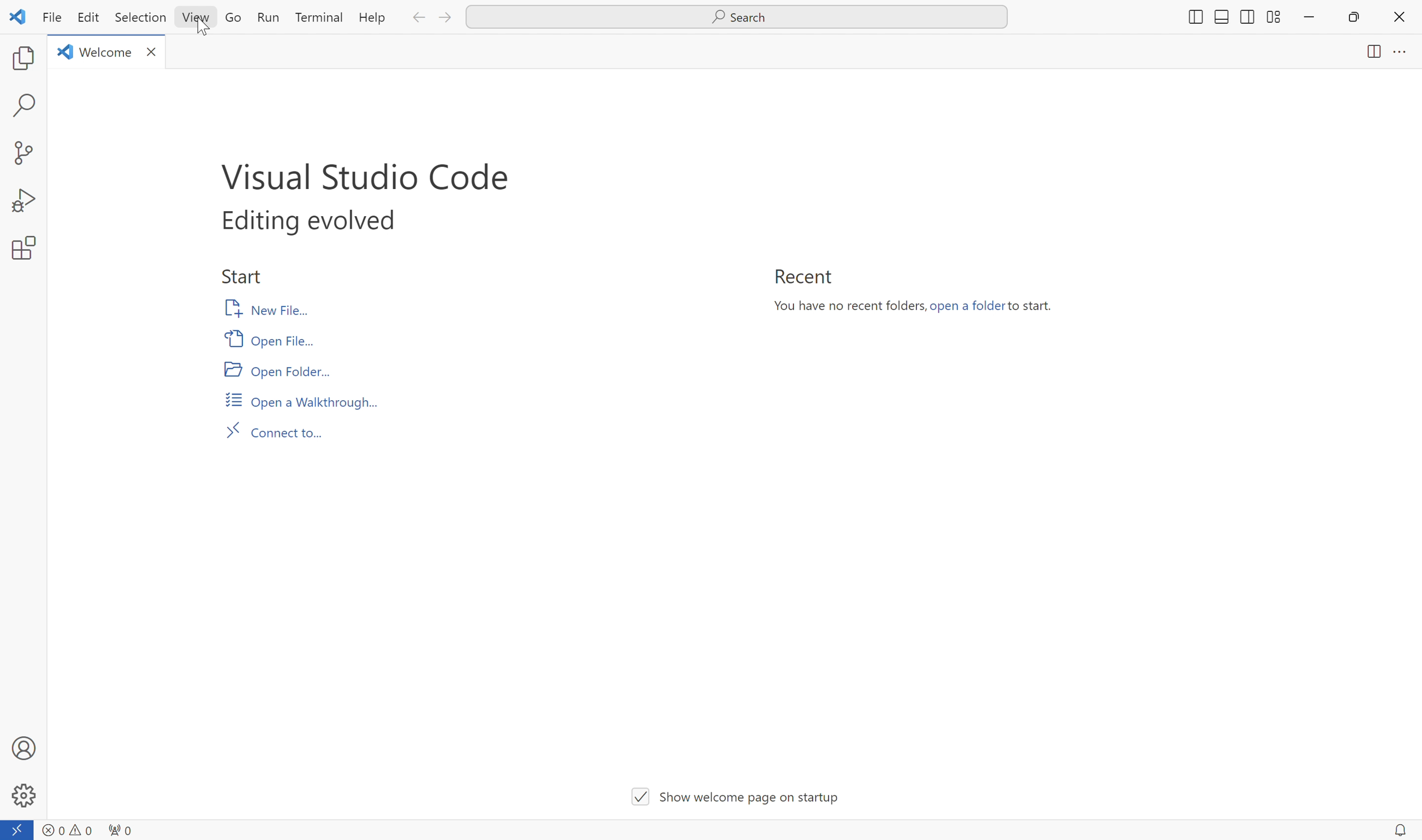 Image resolution: width=1422 pixels, height=840 pixels. Describe the element at coordinates (20, 18) in the screenshot. I see `logo` at that location.